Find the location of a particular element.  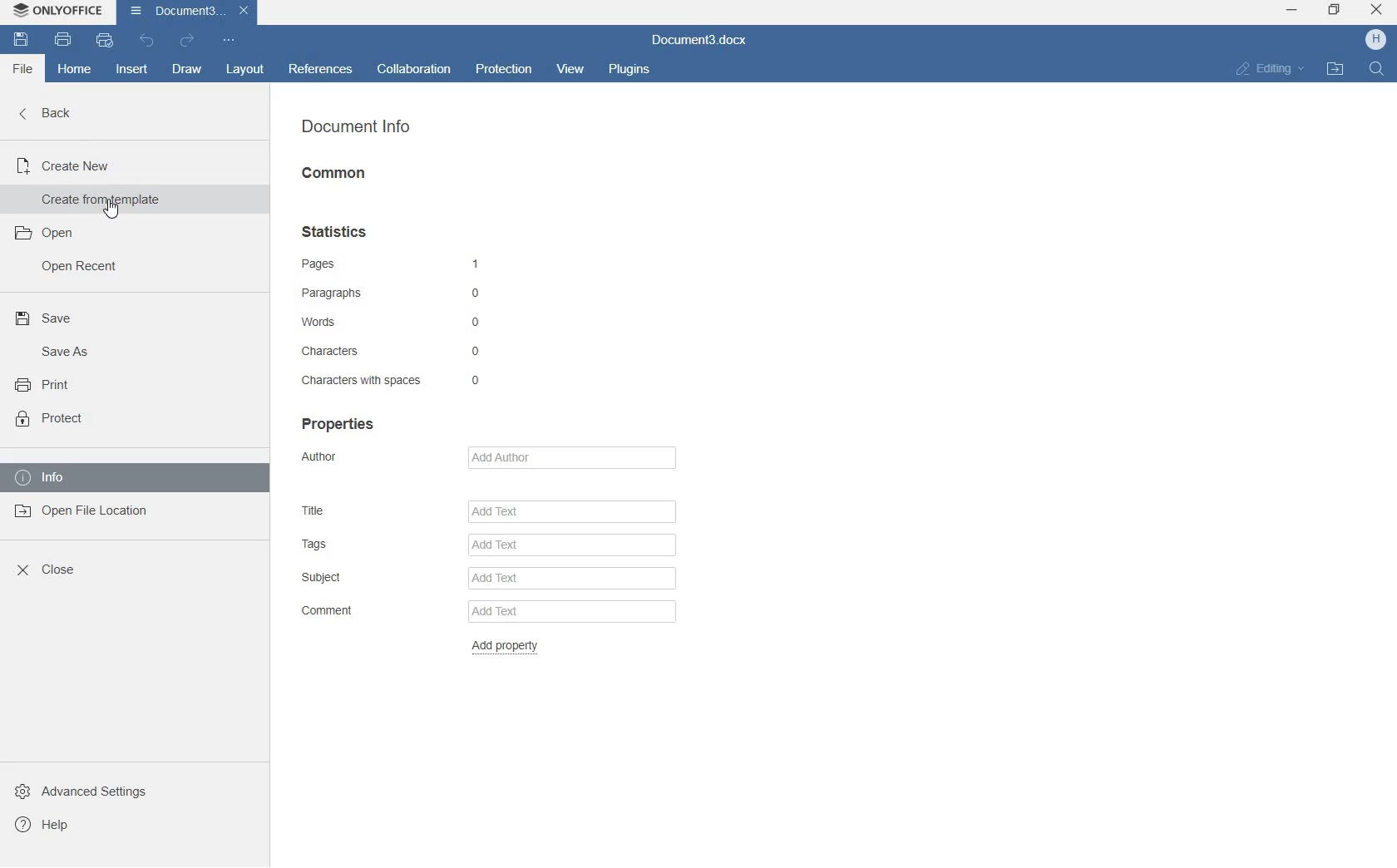

open recent is located at coordinates (83, 269).